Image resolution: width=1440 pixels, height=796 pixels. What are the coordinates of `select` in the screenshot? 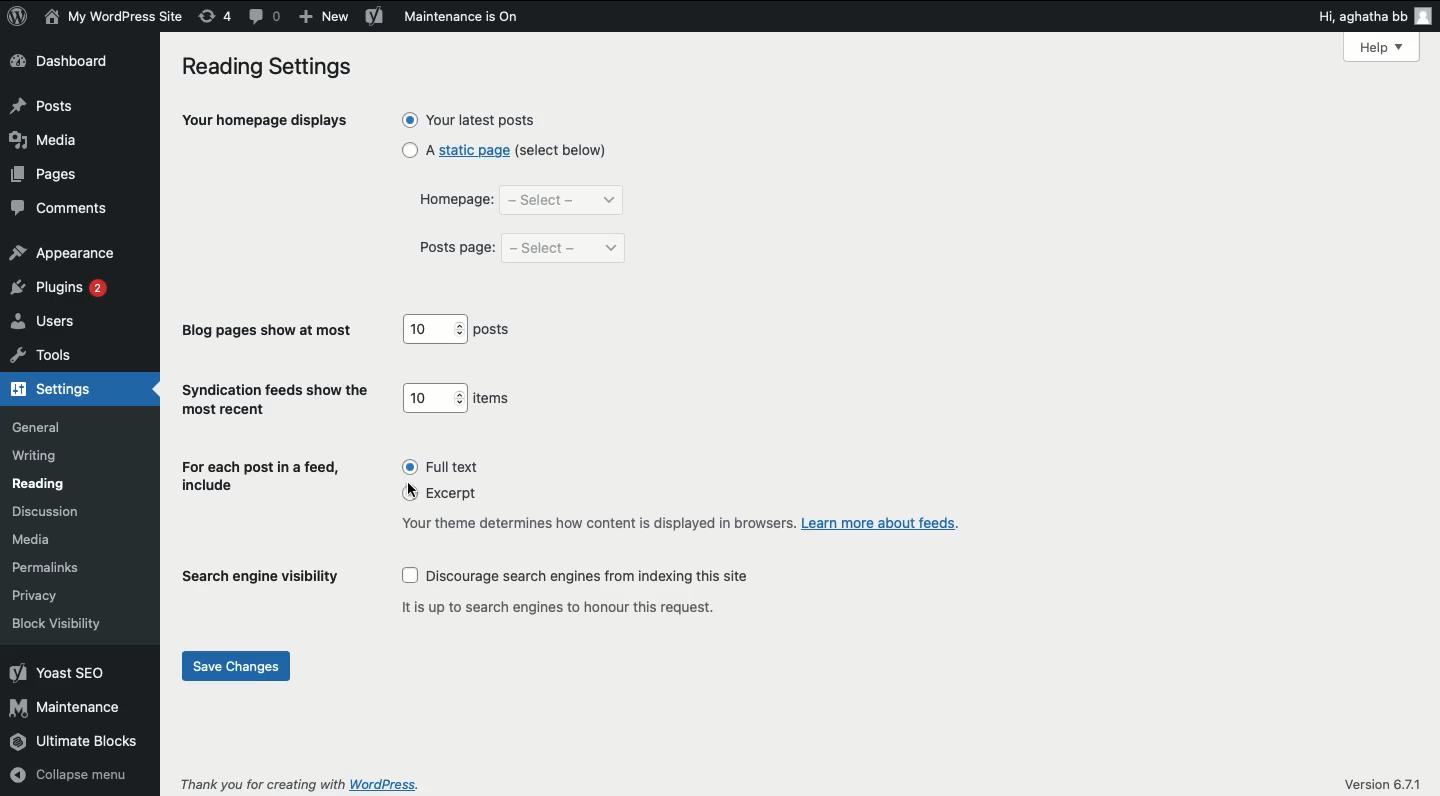 It's located at (564, 249).